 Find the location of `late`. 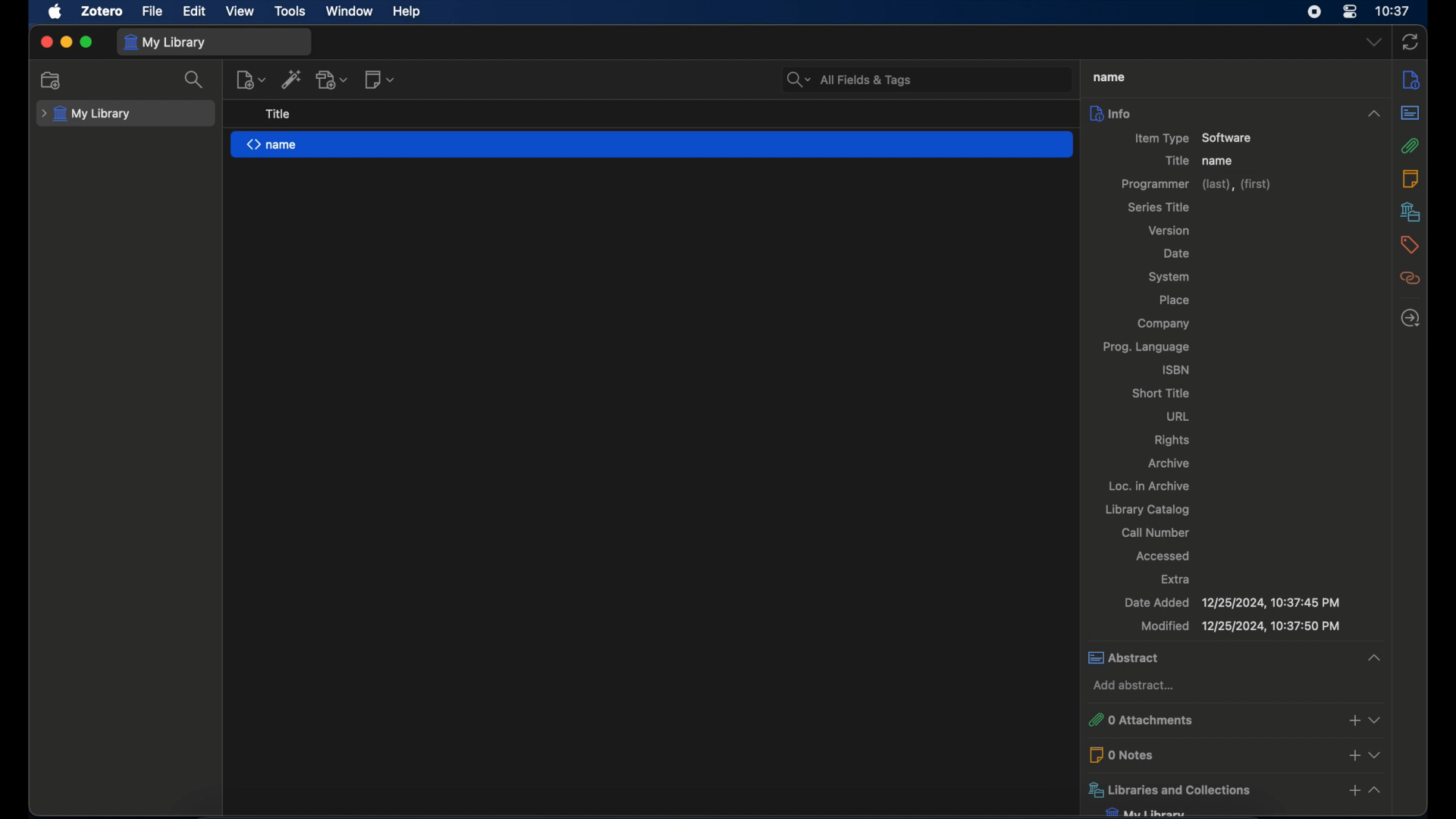

late is located at coordinates (1410, 318).